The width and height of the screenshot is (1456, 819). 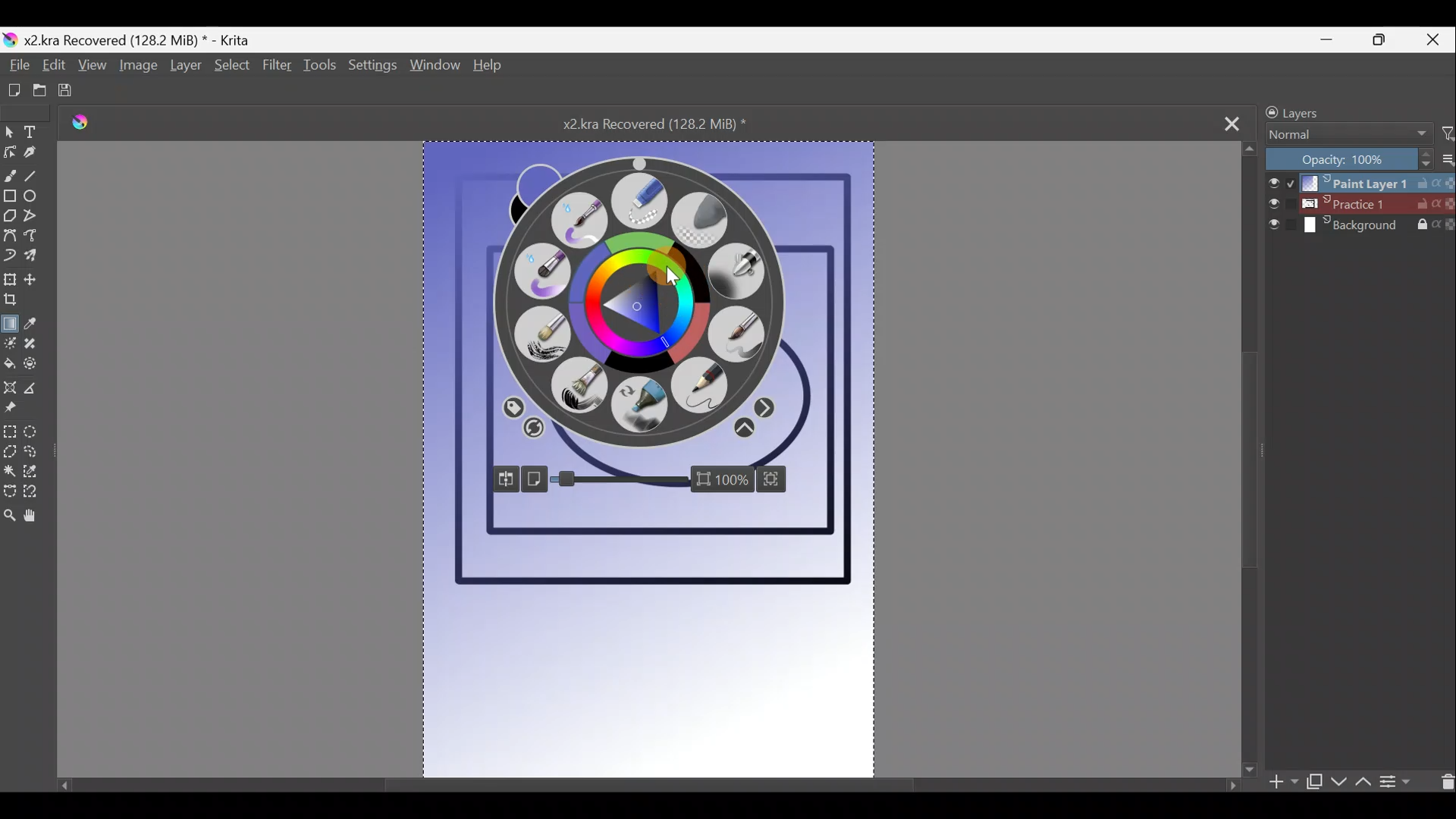 I want to click on Elliptical selection tool, so click(x=35, y=434).